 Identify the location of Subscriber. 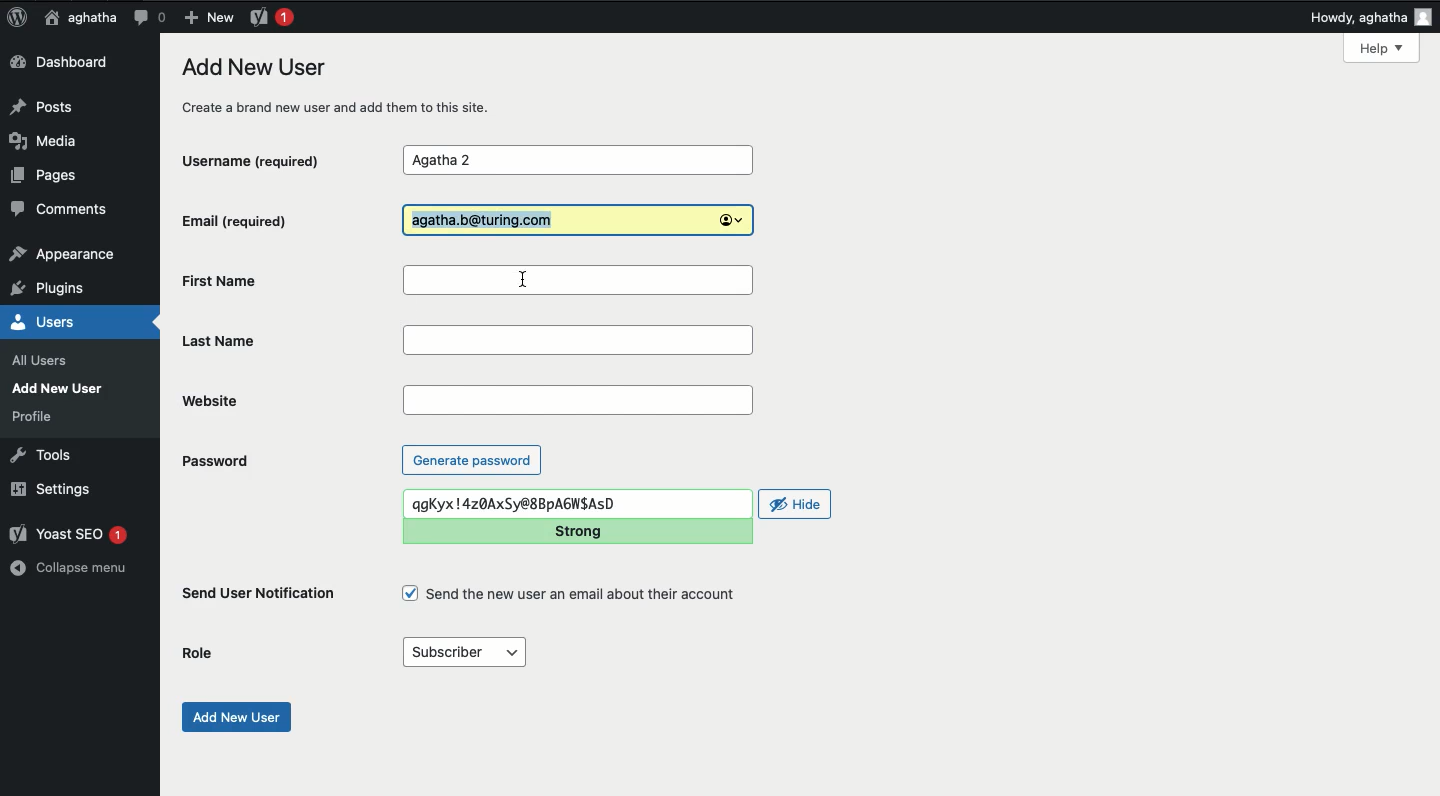
(463, 653).